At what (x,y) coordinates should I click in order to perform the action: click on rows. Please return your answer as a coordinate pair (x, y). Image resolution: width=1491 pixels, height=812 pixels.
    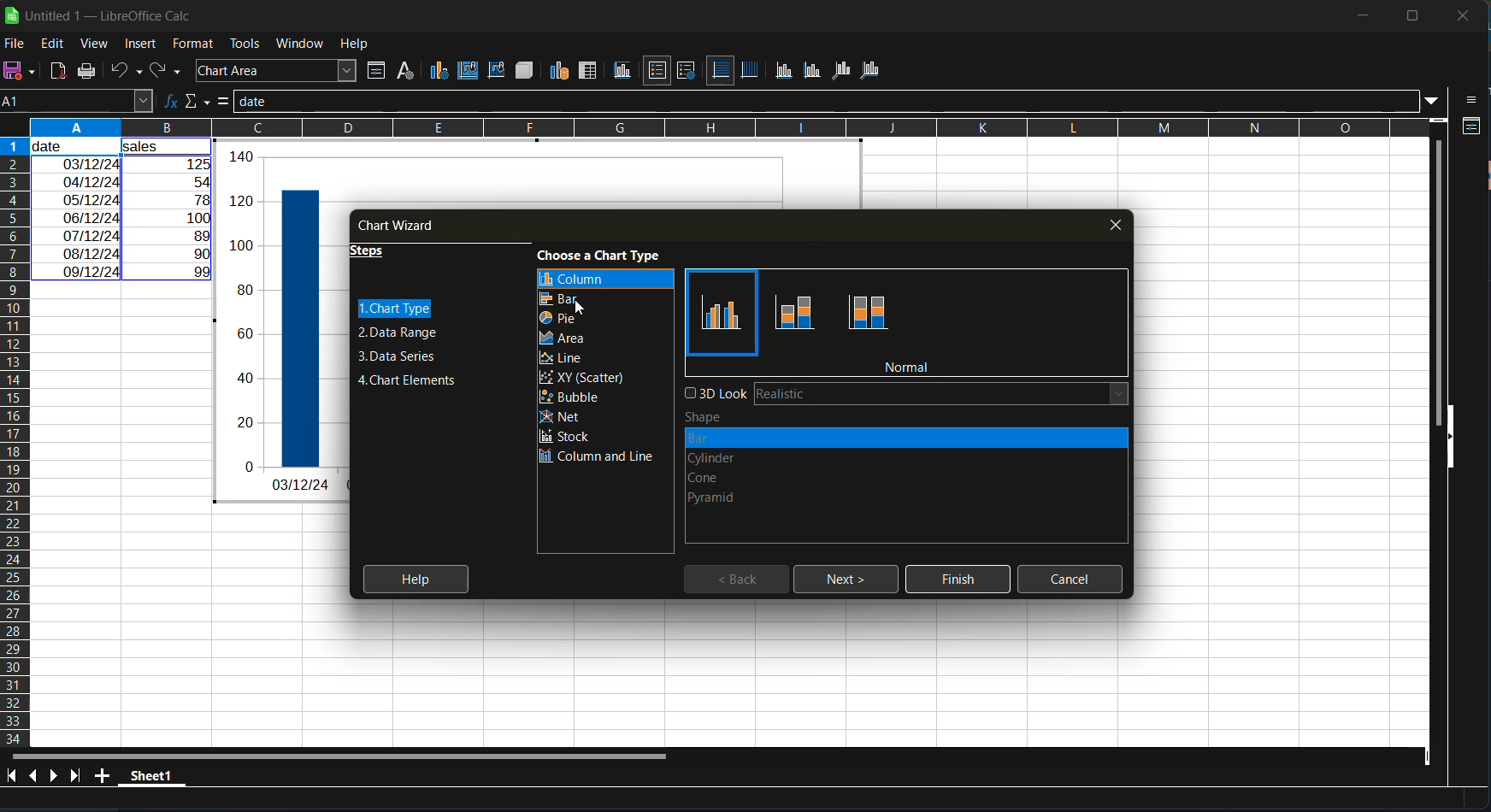
    Looking at the image, I should click on (716, 127).